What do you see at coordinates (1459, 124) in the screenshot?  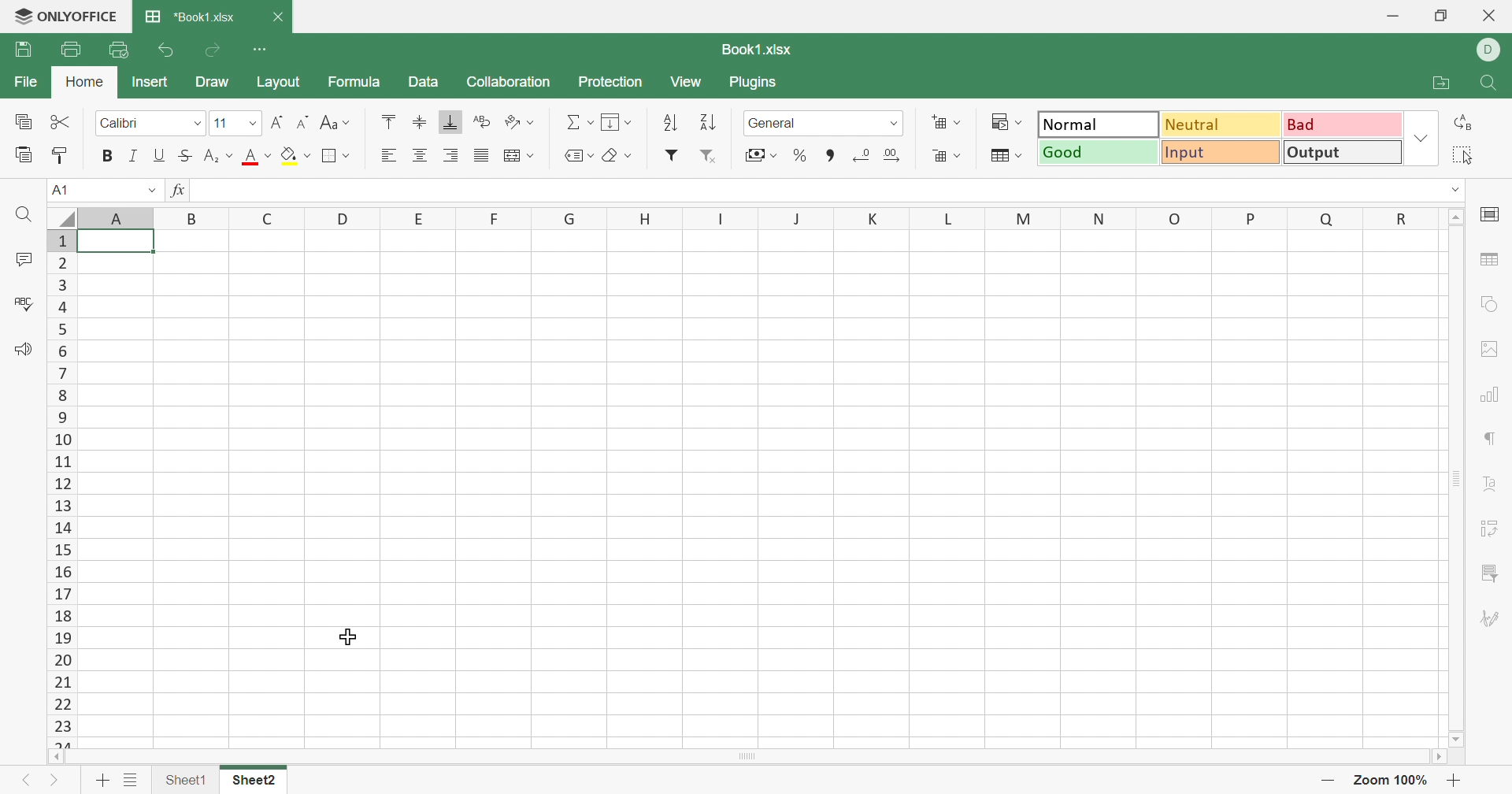 I see `Replace` at bounding box center [1459, 124].